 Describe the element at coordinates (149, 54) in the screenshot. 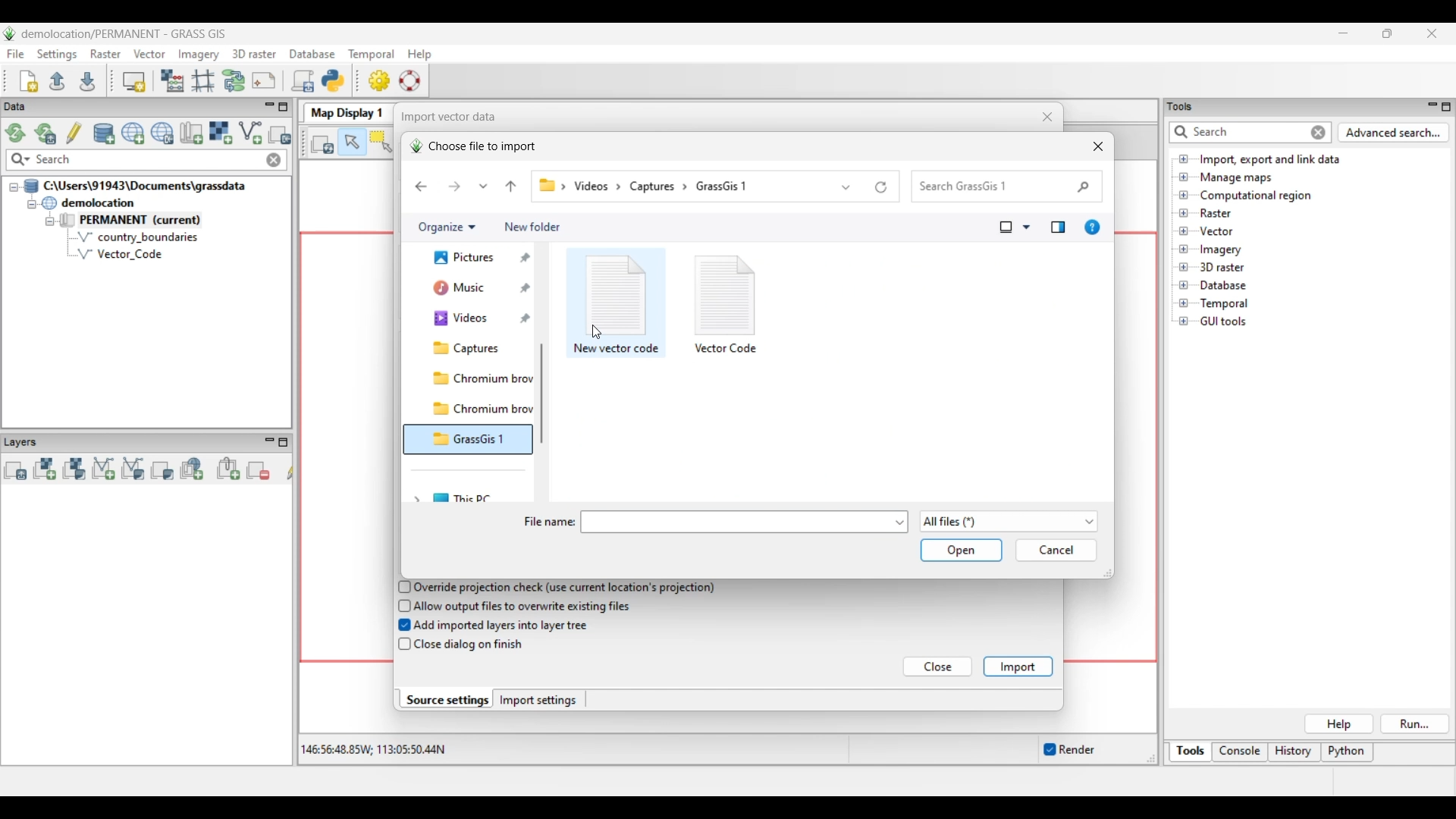

I see `Vector menu` at that location.